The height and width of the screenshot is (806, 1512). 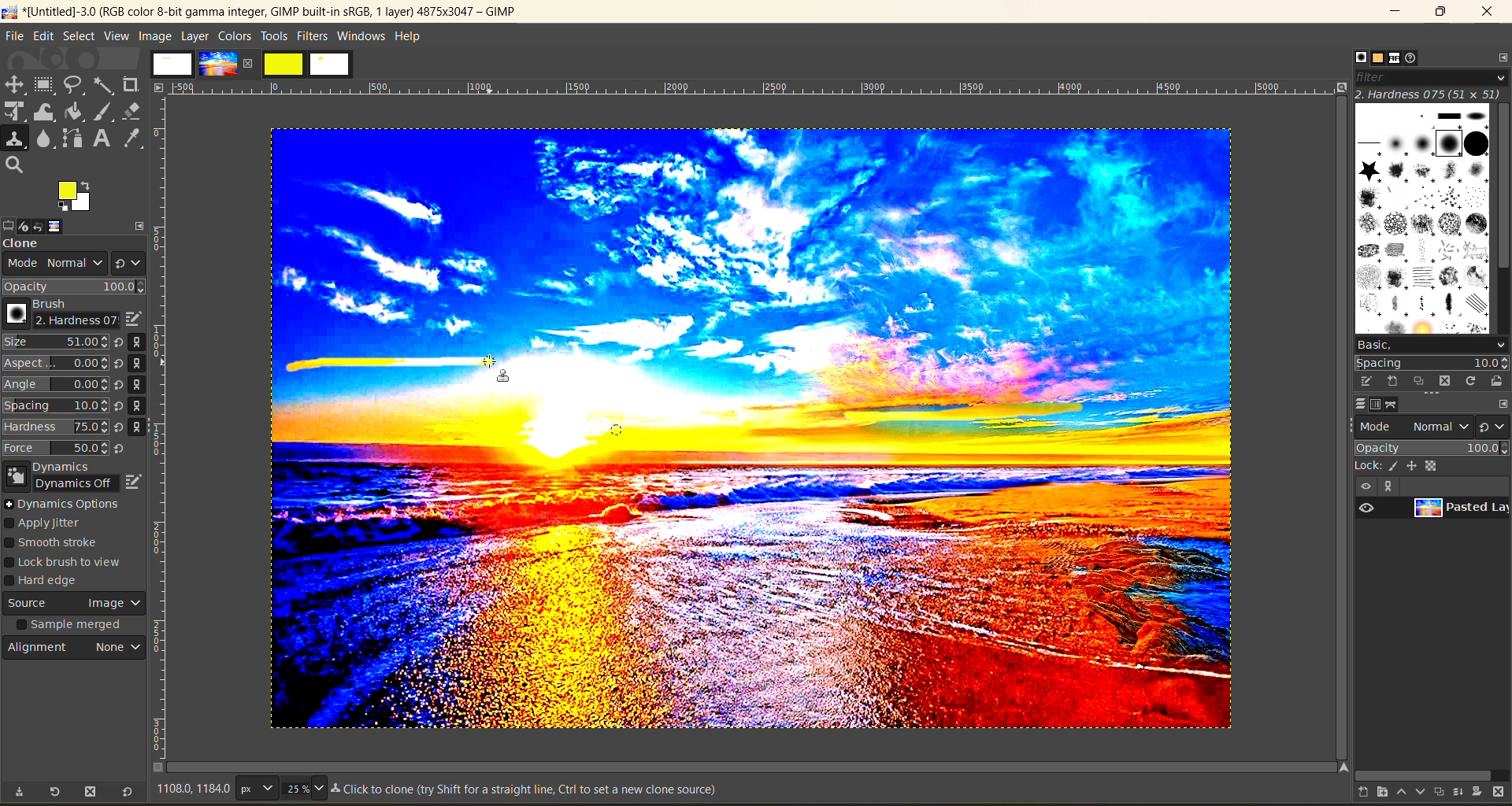 I want to click on move tool, so click(x=15, y=84).